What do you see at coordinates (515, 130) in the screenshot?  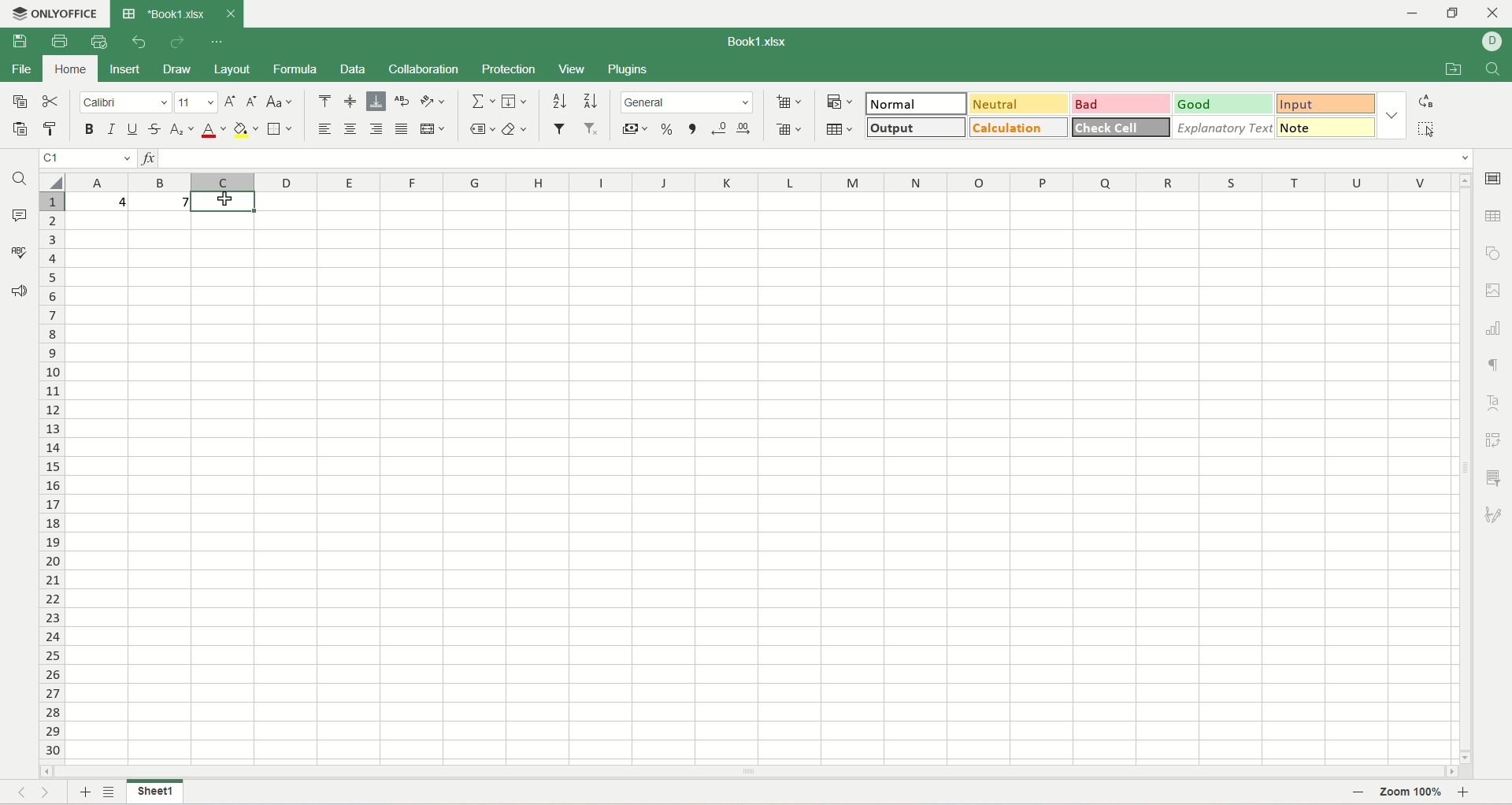 I see `clear` at bounding box center [515, 130].